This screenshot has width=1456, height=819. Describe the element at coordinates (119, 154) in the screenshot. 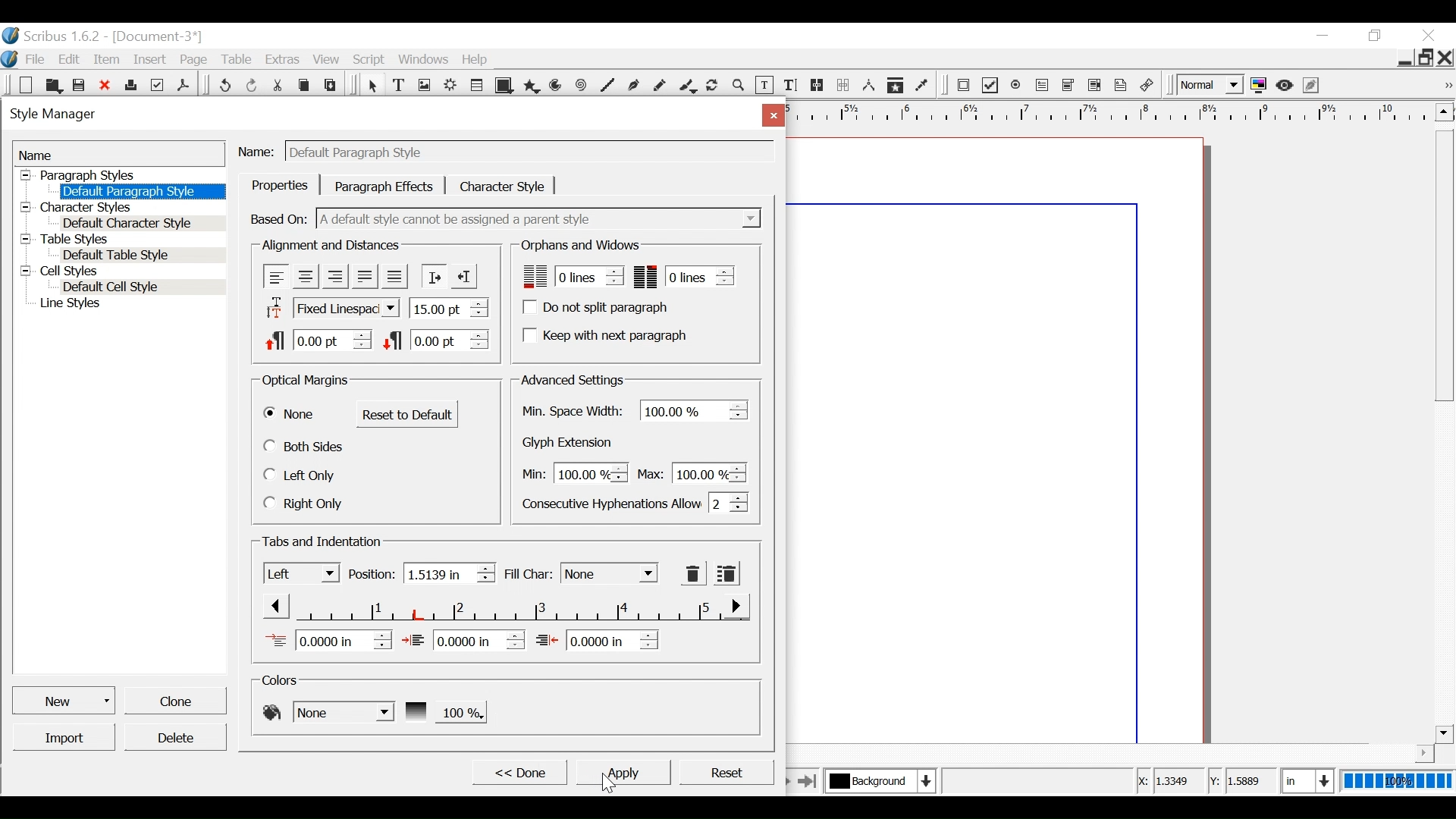

I see `Name` at that location.